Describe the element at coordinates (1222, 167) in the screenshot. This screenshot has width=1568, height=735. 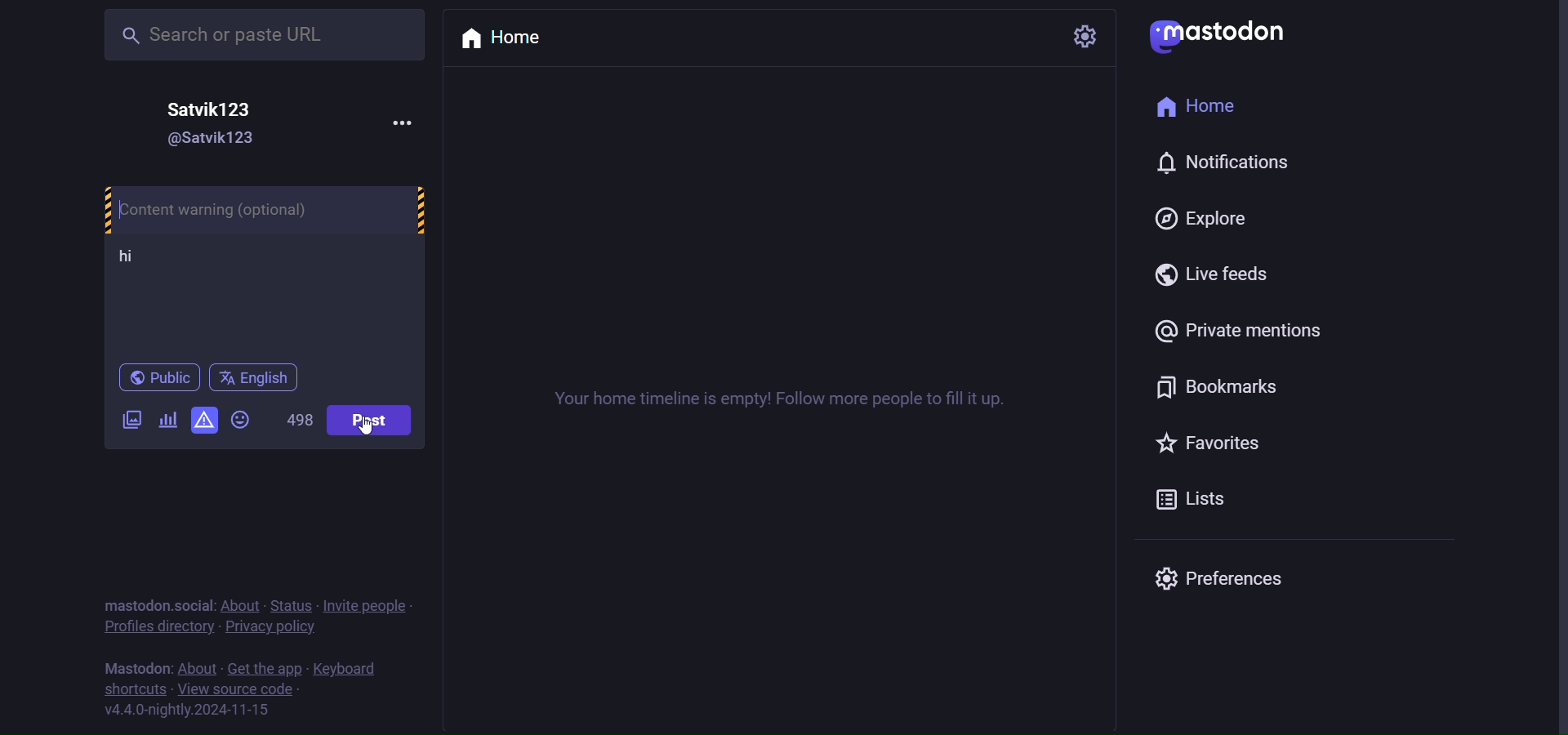
I see `notification` at that location.